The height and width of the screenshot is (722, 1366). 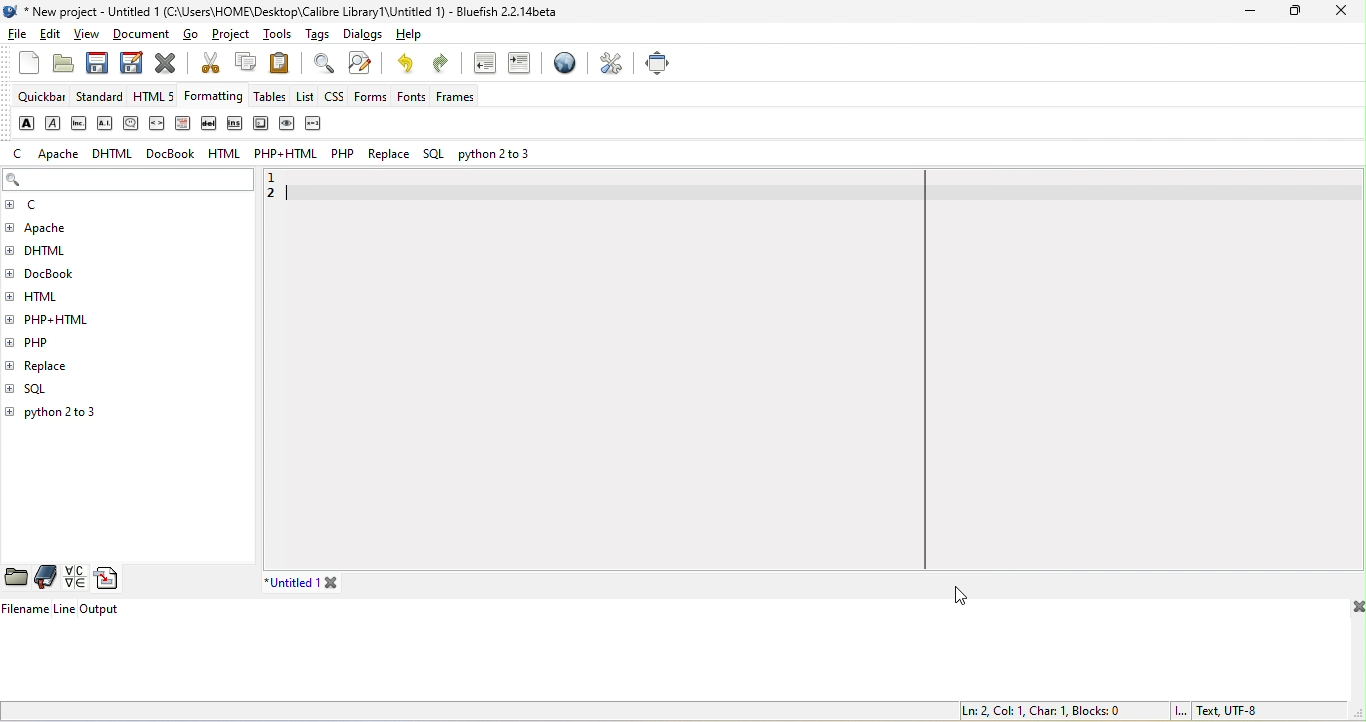 What do you see at coordinates (245, 64) in the screenshot?
I see `copy` at bounding box center [245, 64].